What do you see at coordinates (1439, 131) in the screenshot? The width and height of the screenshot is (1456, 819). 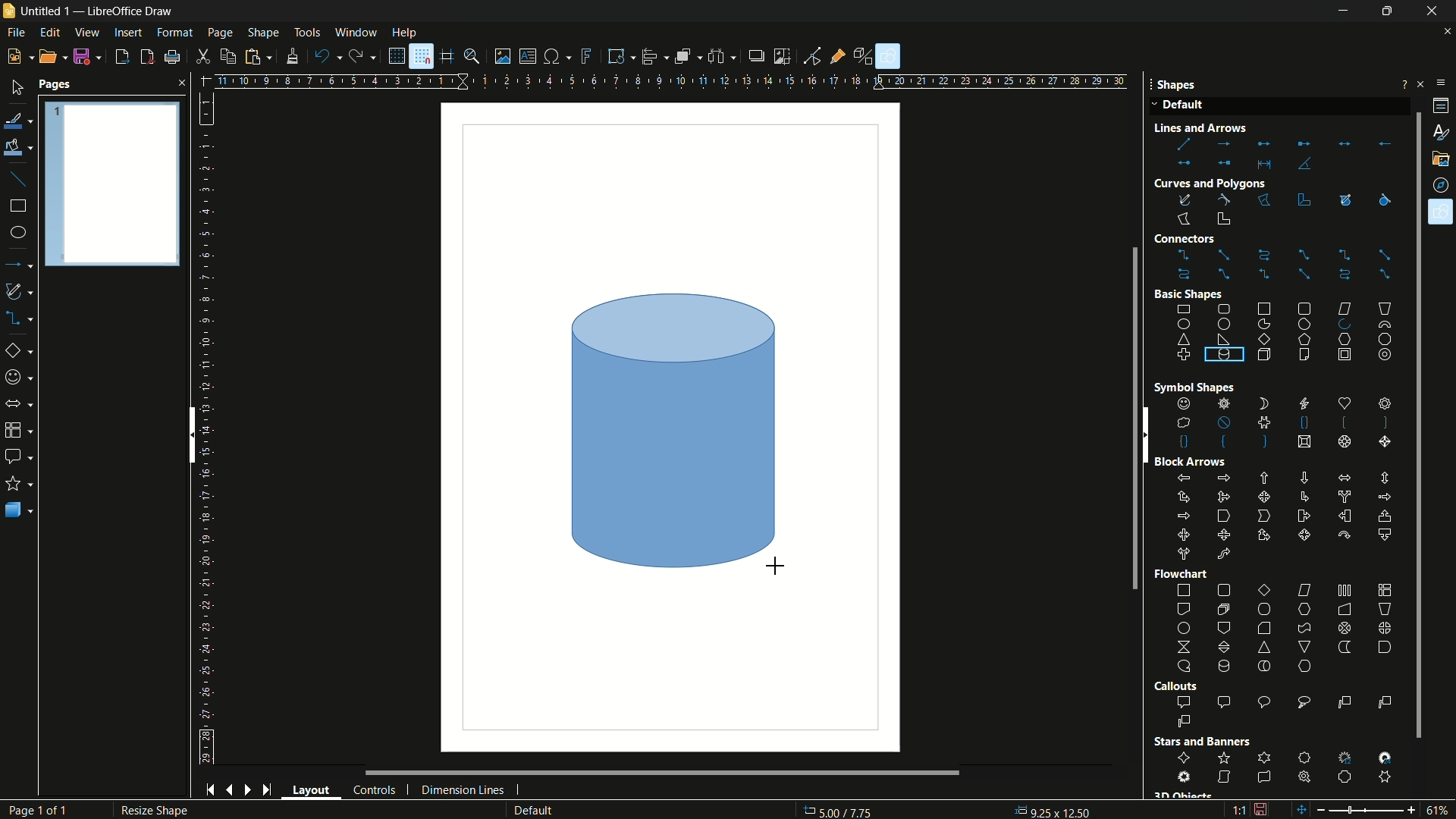 I see `styles` at bounding box center [1439, 131].